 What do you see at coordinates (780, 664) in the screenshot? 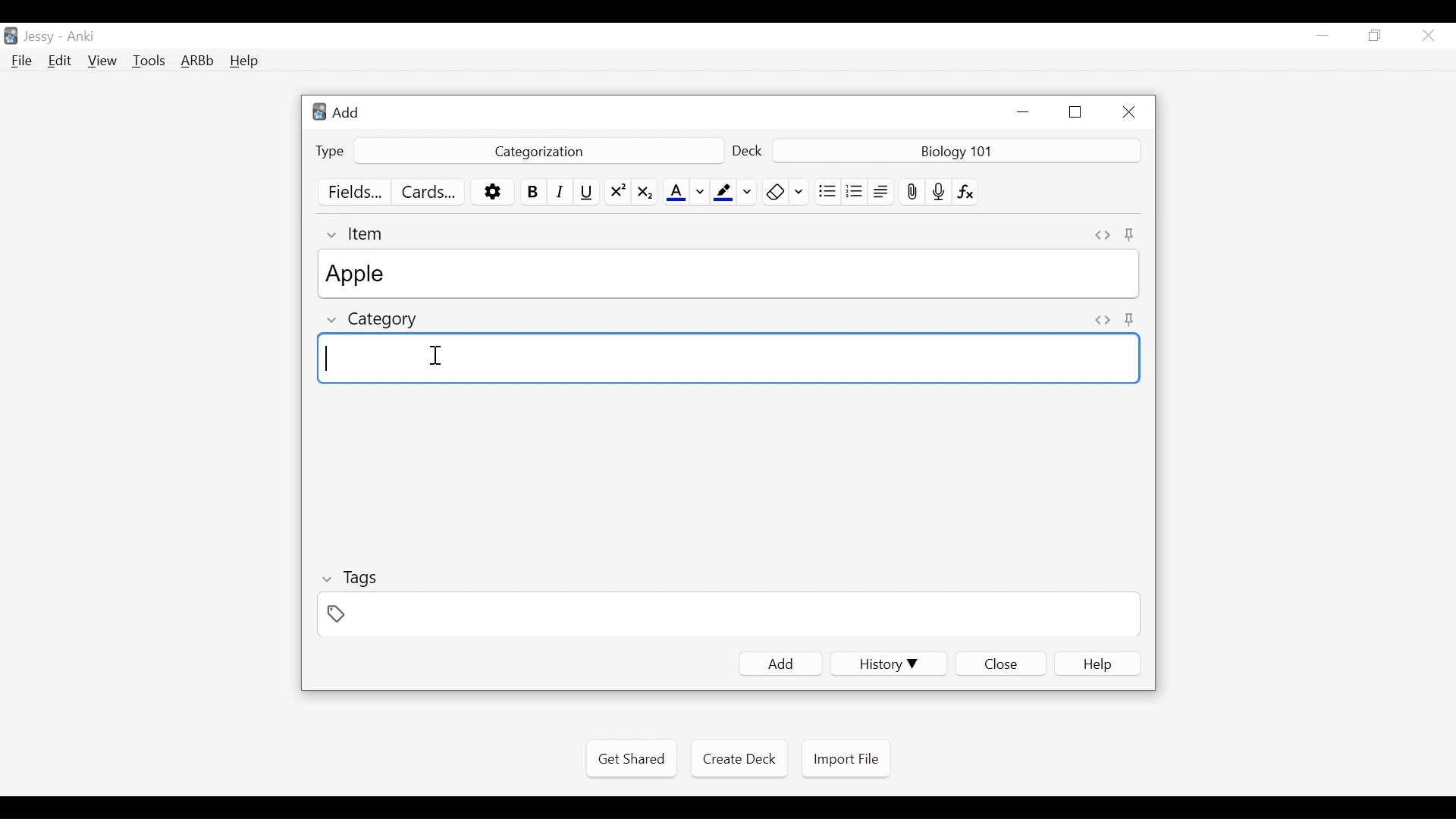
I see `Add` at bounding box center [780, 664].